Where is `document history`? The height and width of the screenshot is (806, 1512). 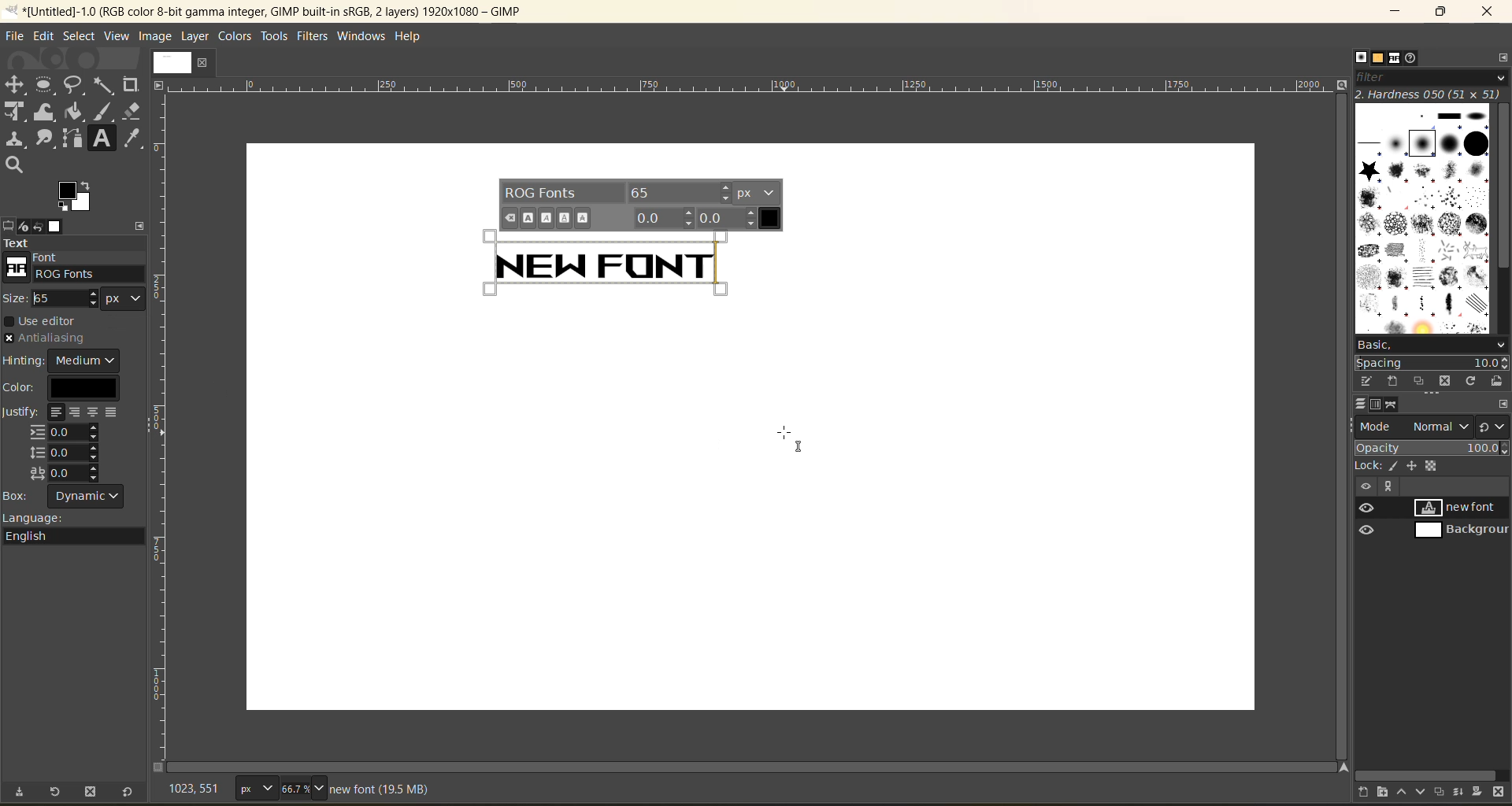
document history is located at coordinates (1412, 57).